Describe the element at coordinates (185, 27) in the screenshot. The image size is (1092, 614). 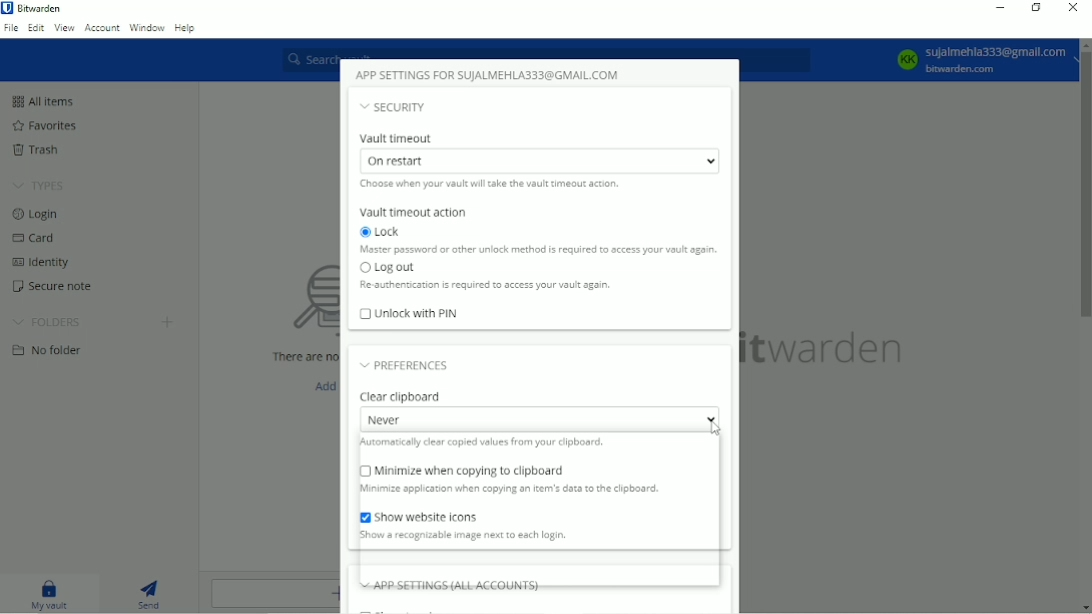
I see `Help` at that location.